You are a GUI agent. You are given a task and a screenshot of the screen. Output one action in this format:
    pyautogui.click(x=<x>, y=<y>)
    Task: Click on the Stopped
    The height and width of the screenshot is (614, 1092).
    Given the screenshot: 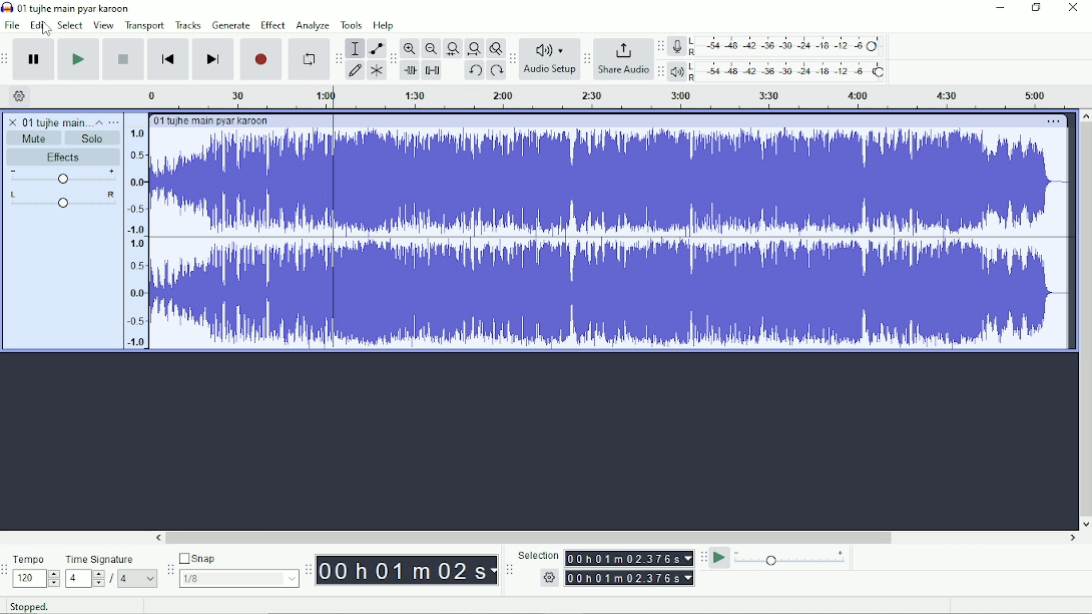 What is the action you would take?
    pyautogui.click(x=30, y=606)
    